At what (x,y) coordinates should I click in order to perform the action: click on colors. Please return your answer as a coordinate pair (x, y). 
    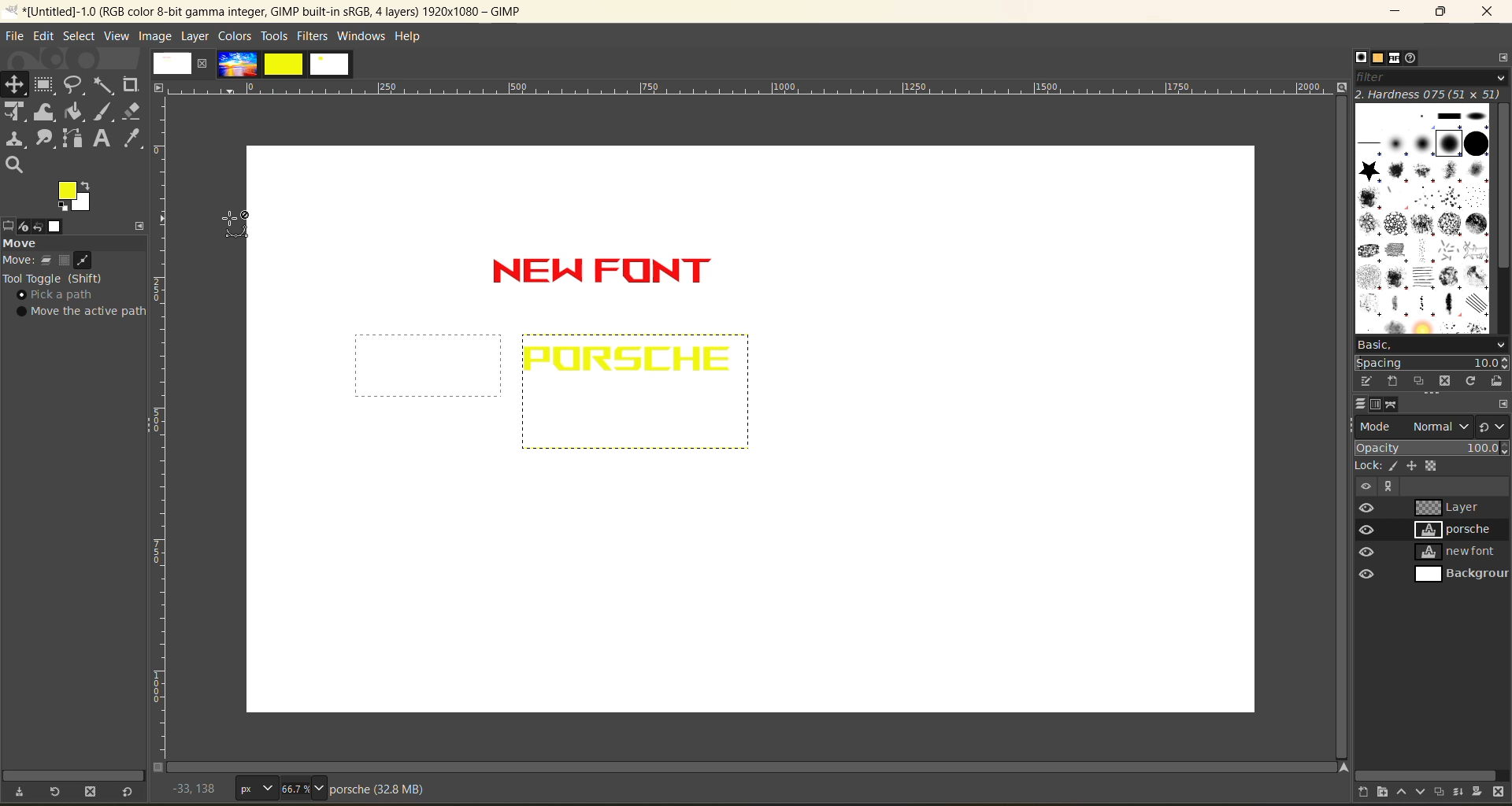
    Looking at the image, I should click on (235, 37).